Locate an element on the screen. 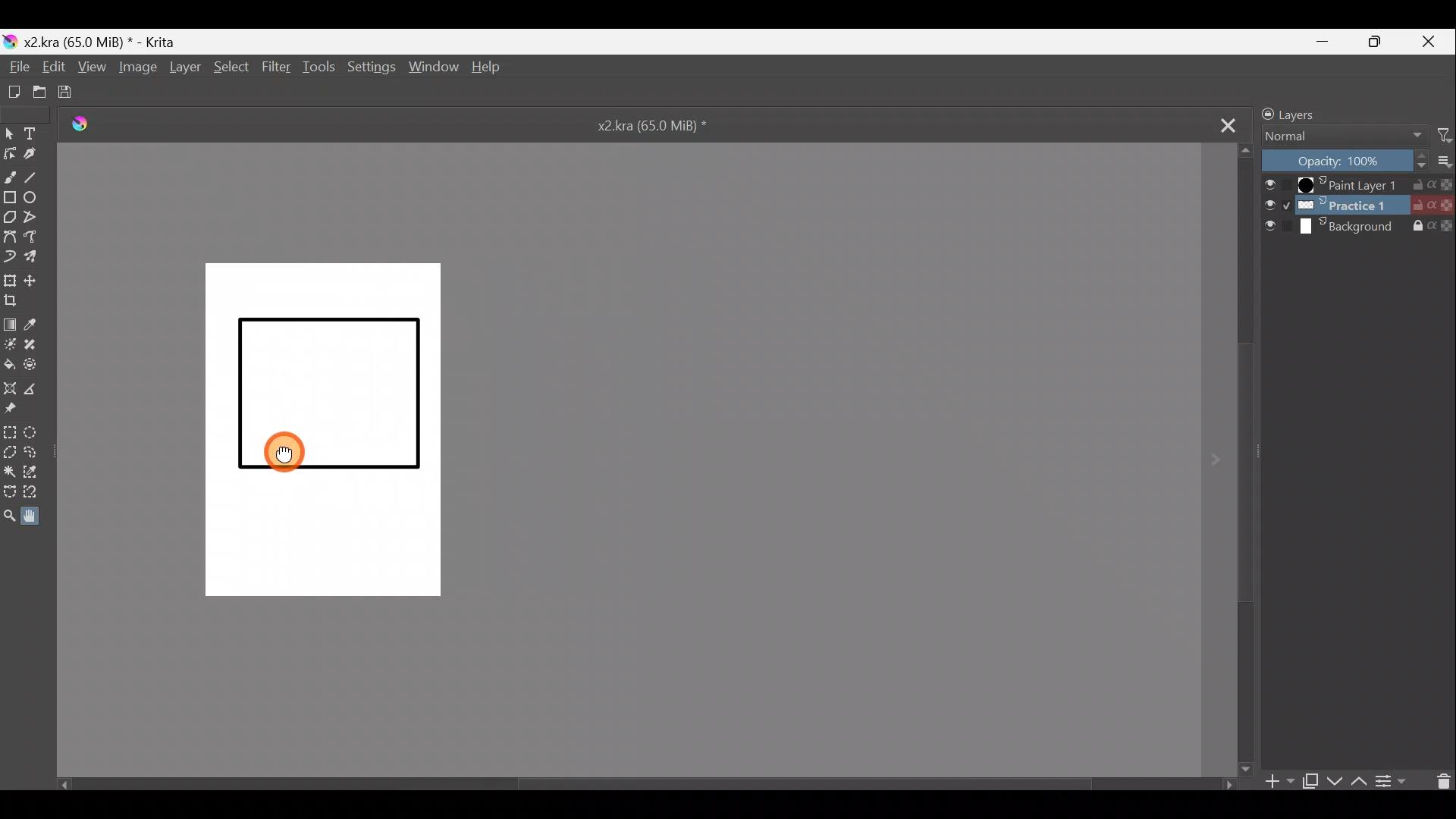 This screenshot has height=819, width=1456. Elliptical selection tool is located at coordinates (35, 434).